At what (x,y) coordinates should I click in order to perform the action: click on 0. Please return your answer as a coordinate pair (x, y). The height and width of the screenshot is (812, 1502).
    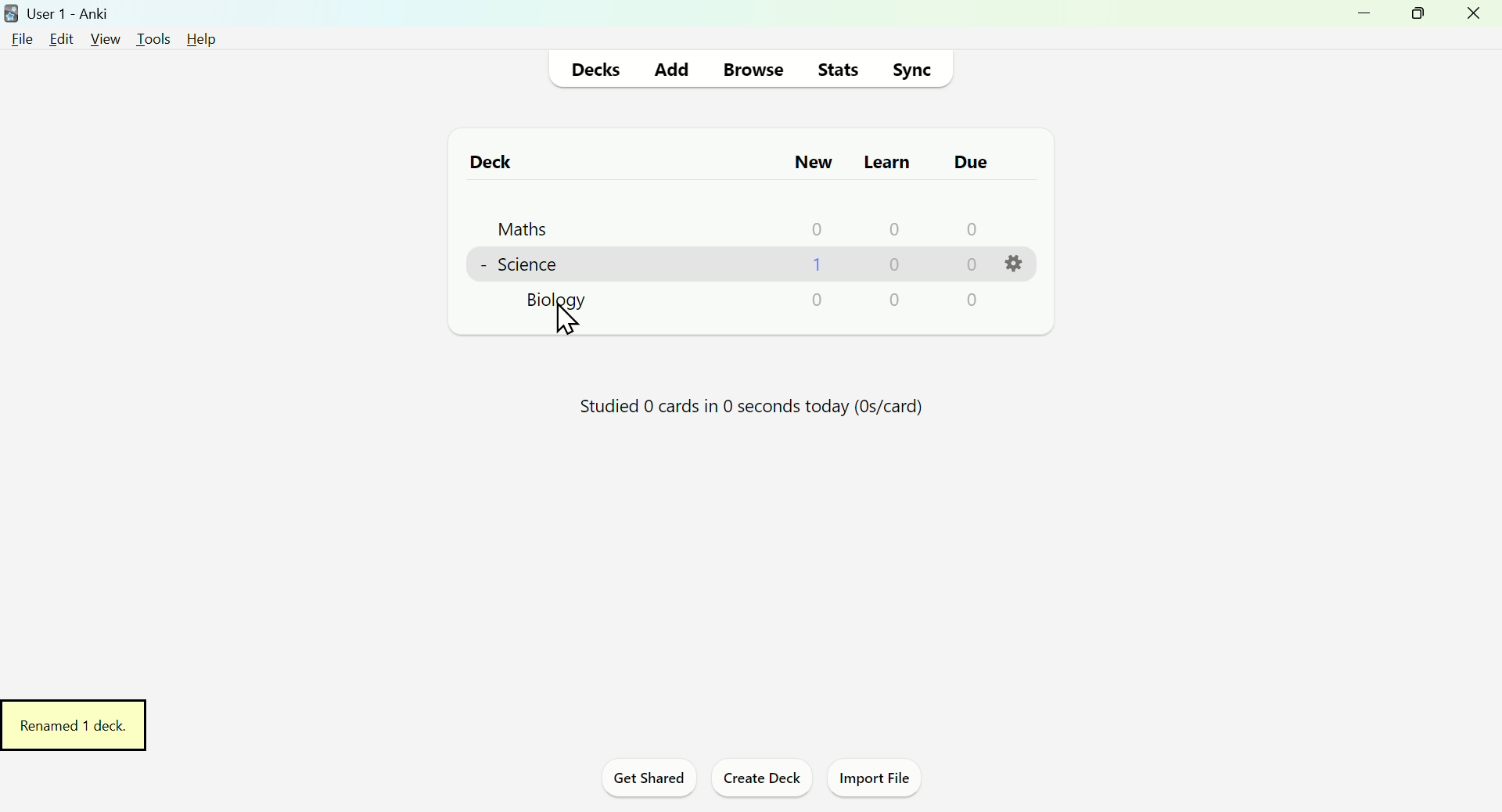
    Looking at the image, I should click on (897, 300).